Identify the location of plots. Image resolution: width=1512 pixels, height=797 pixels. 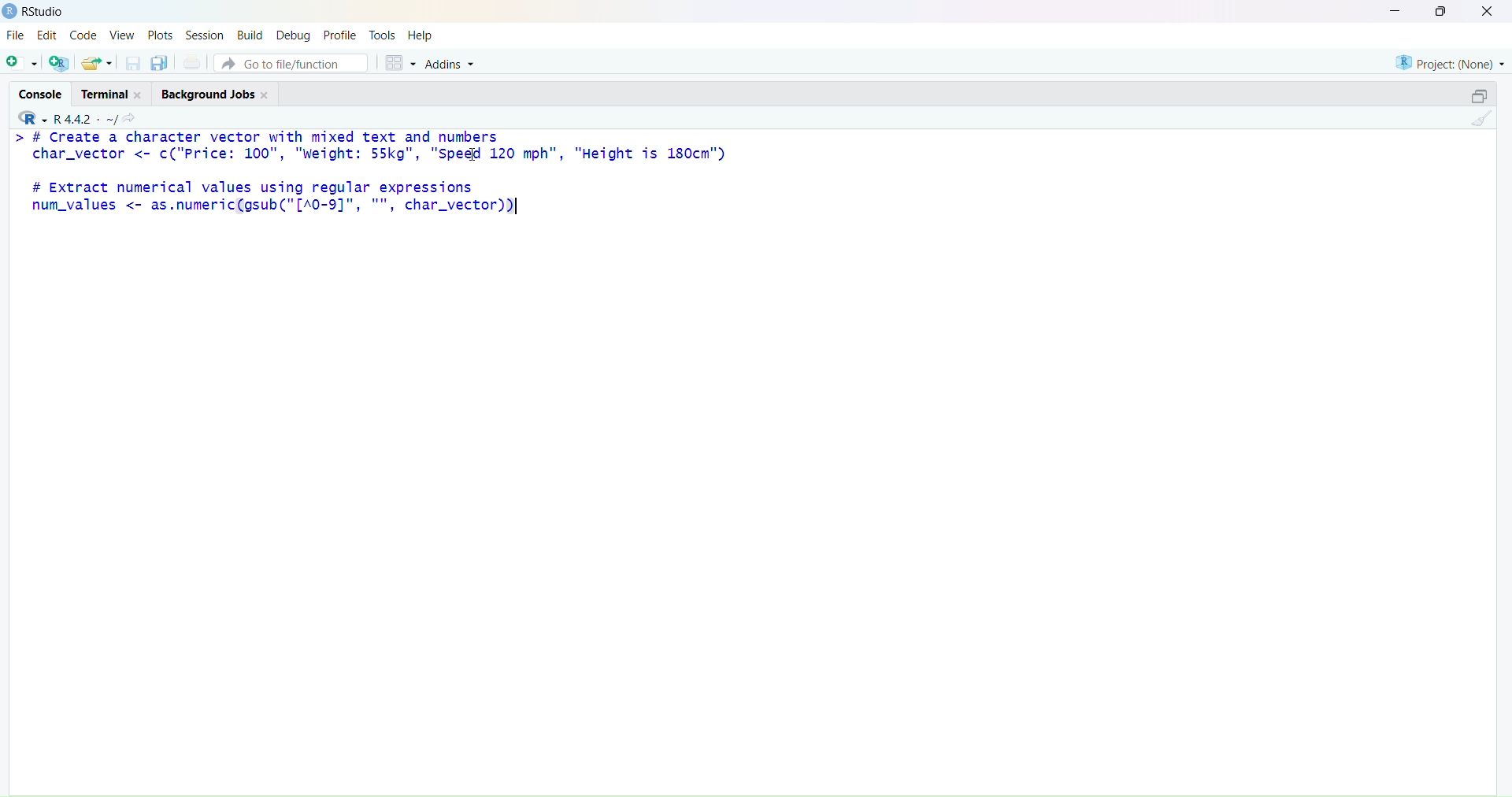
(161, 36).